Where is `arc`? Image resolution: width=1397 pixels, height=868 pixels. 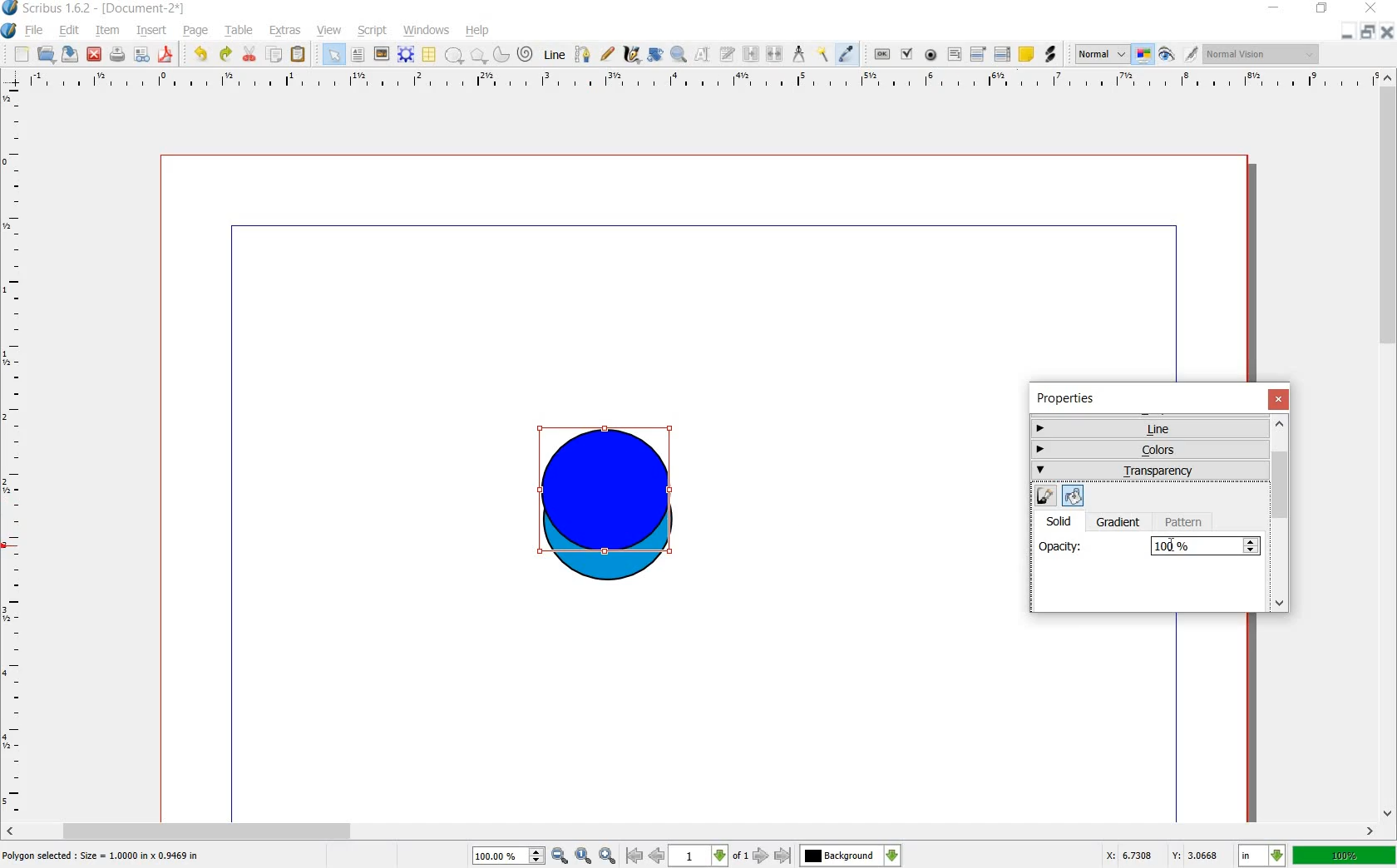 arc is located at coordinates (501, 57).